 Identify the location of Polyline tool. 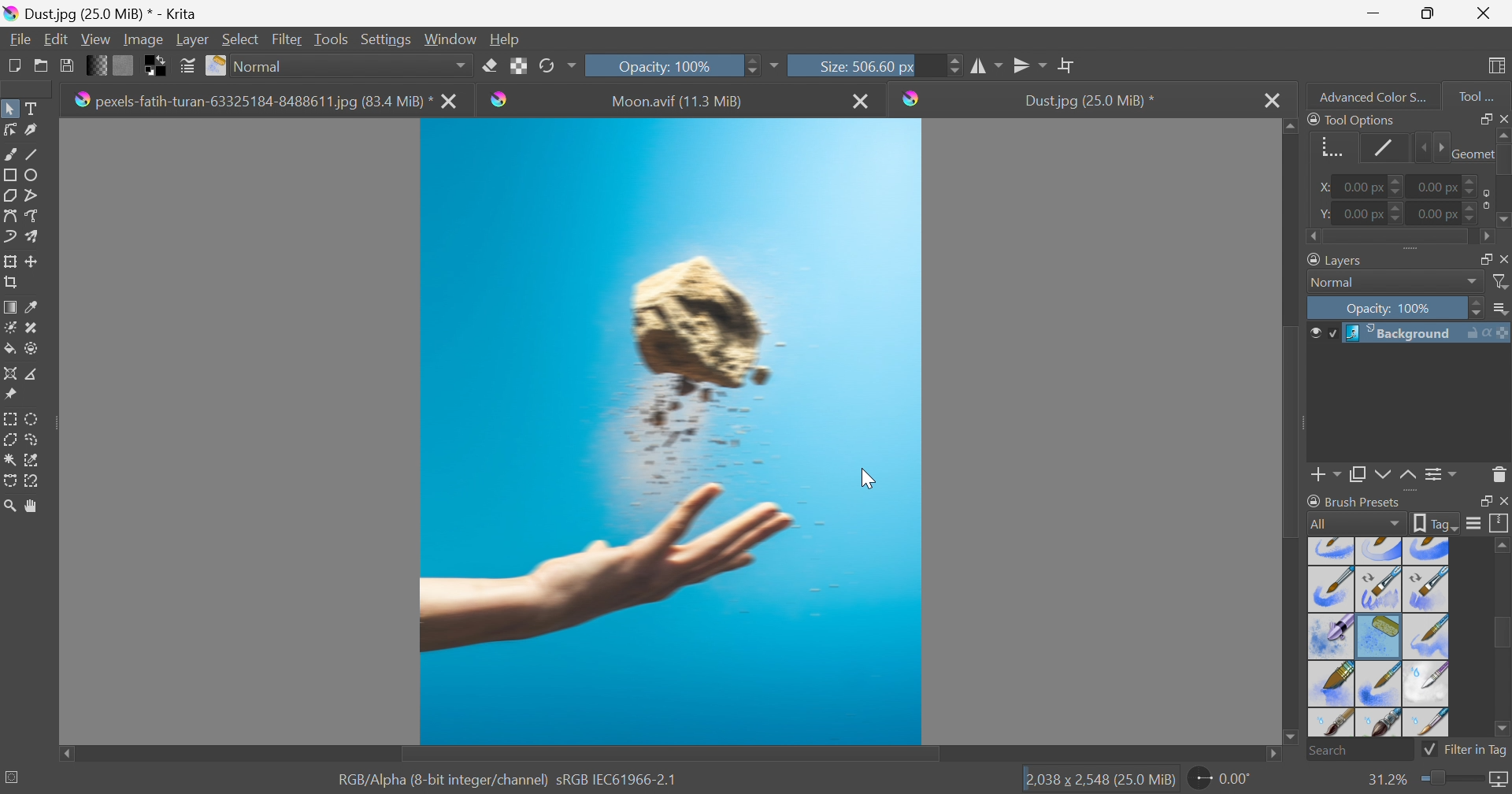
(38, 194).